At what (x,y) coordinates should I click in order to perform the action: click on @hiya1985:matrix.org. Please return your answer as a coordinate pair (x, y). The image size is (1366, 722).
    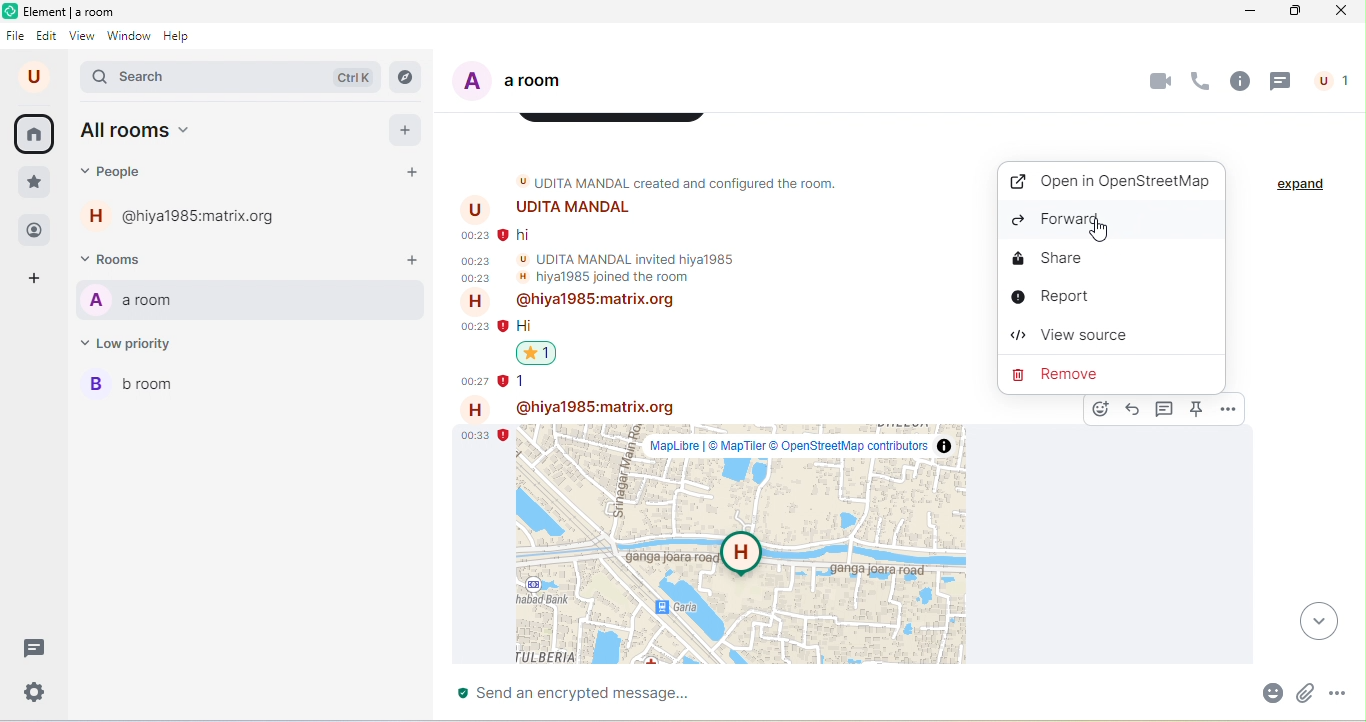
    Looking at the image, I should click on (568, 302).